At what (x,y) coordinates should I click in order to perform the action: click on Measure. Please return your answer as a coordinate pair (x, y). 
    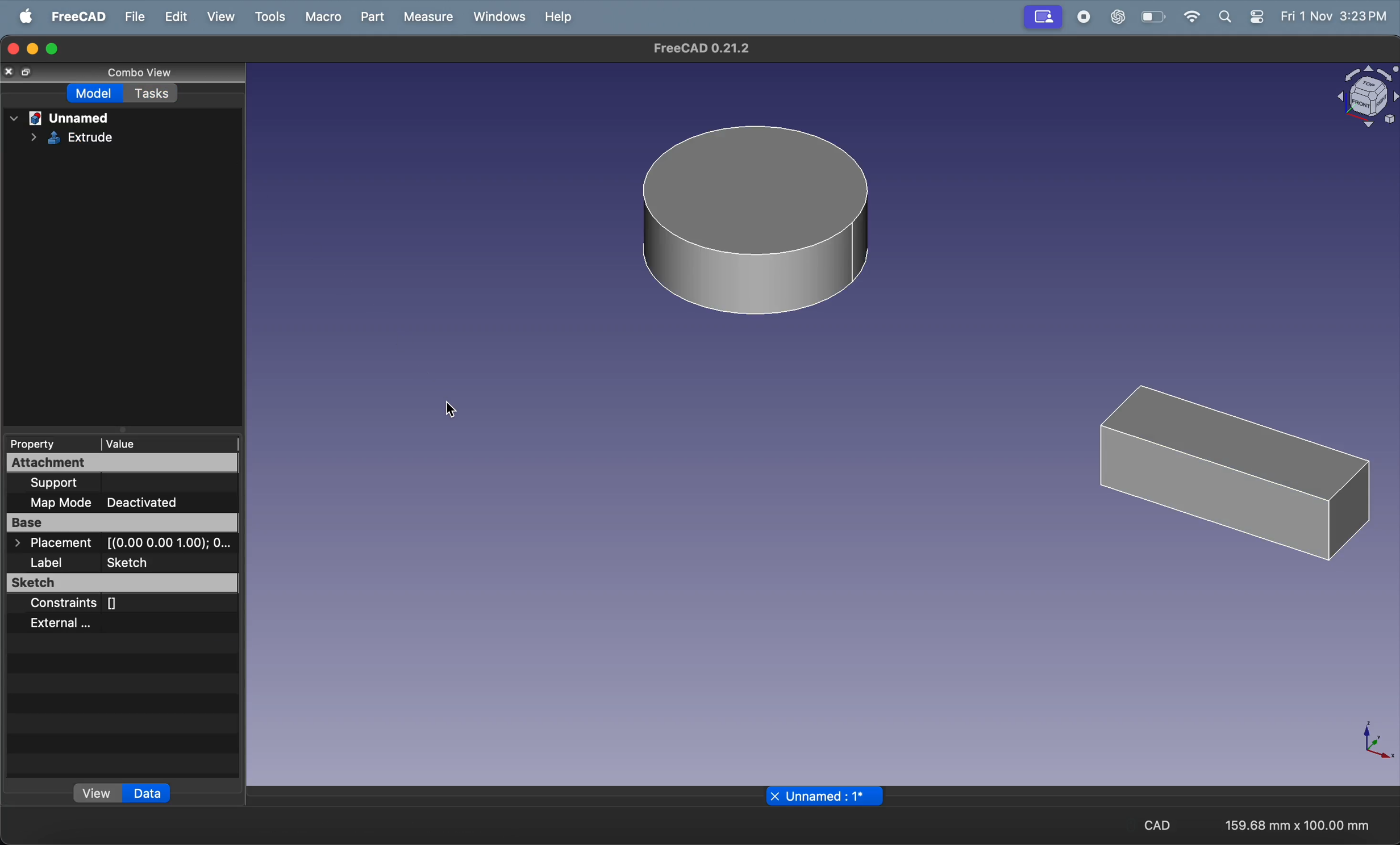
    Looking at the image, I should click on (428, 18).